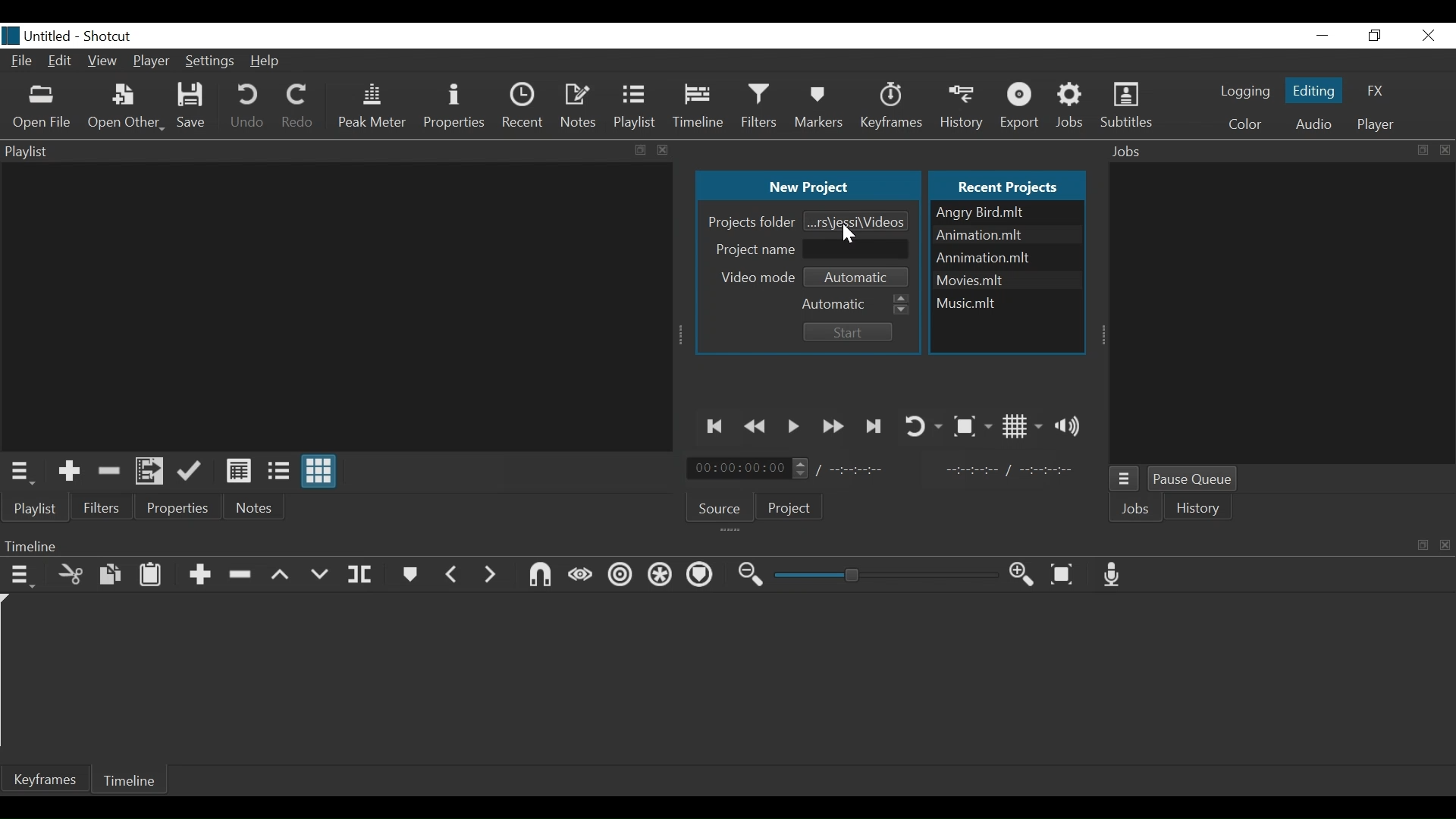 The width and height of the screenshot is (1456, 819). I want to click on Ripple delete, so click(243, 575).